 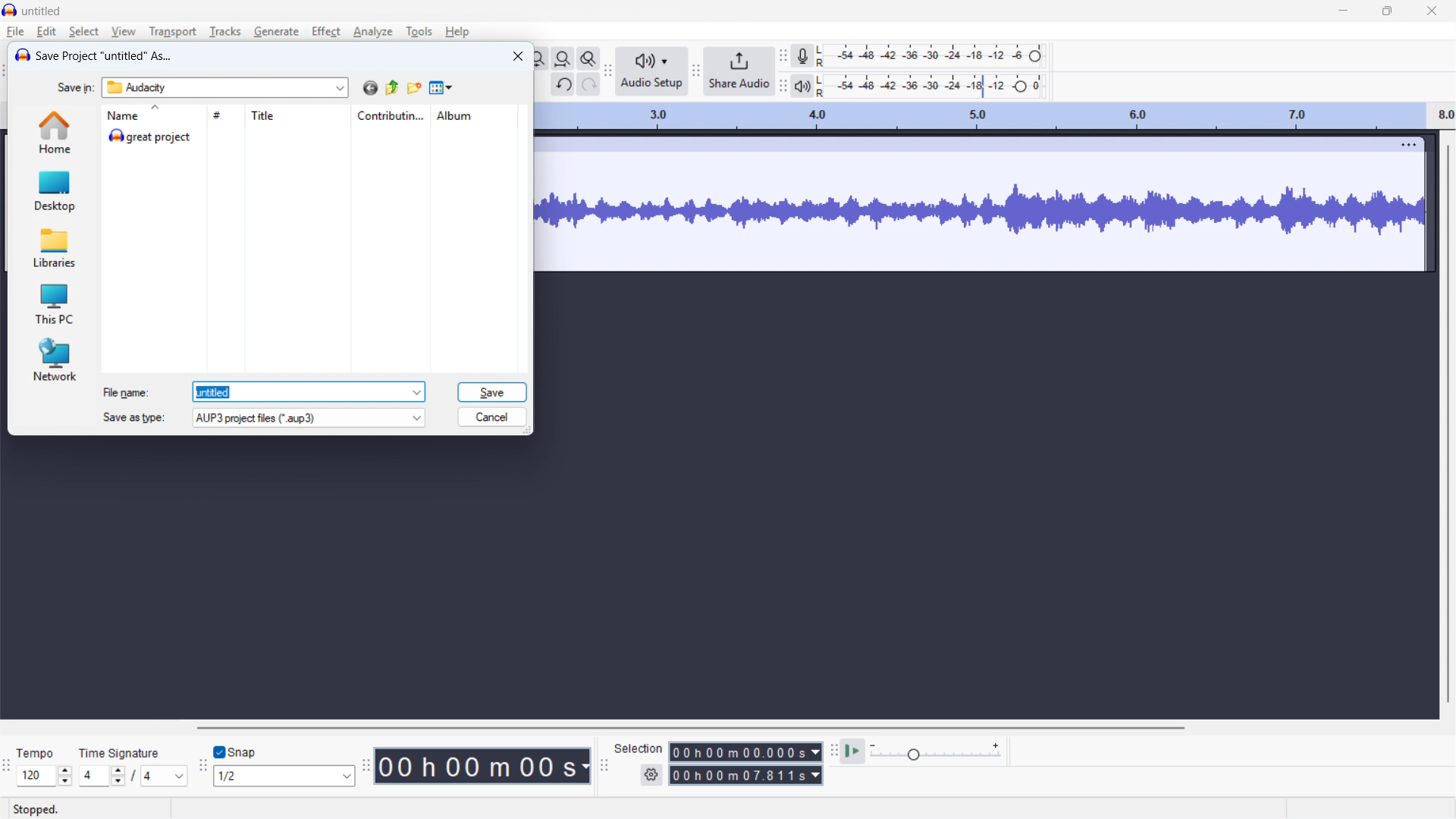 What do you see at coordinates (745, 776) in the screenshot?
I see `selection end time` at bounding box center [745, 776].